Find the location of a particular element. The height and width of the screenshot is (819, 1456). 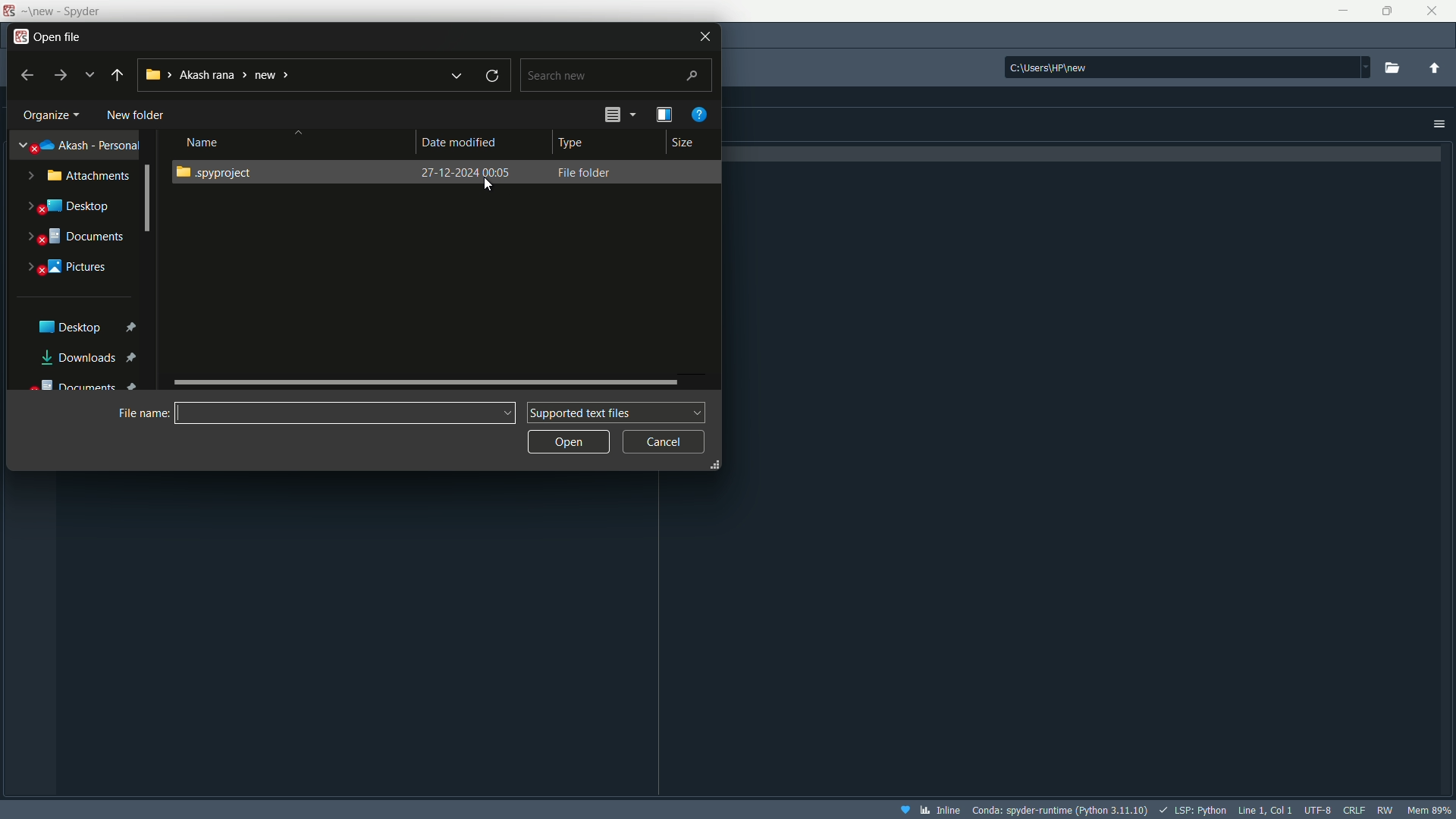

inline is located at coordinates (930, 809).